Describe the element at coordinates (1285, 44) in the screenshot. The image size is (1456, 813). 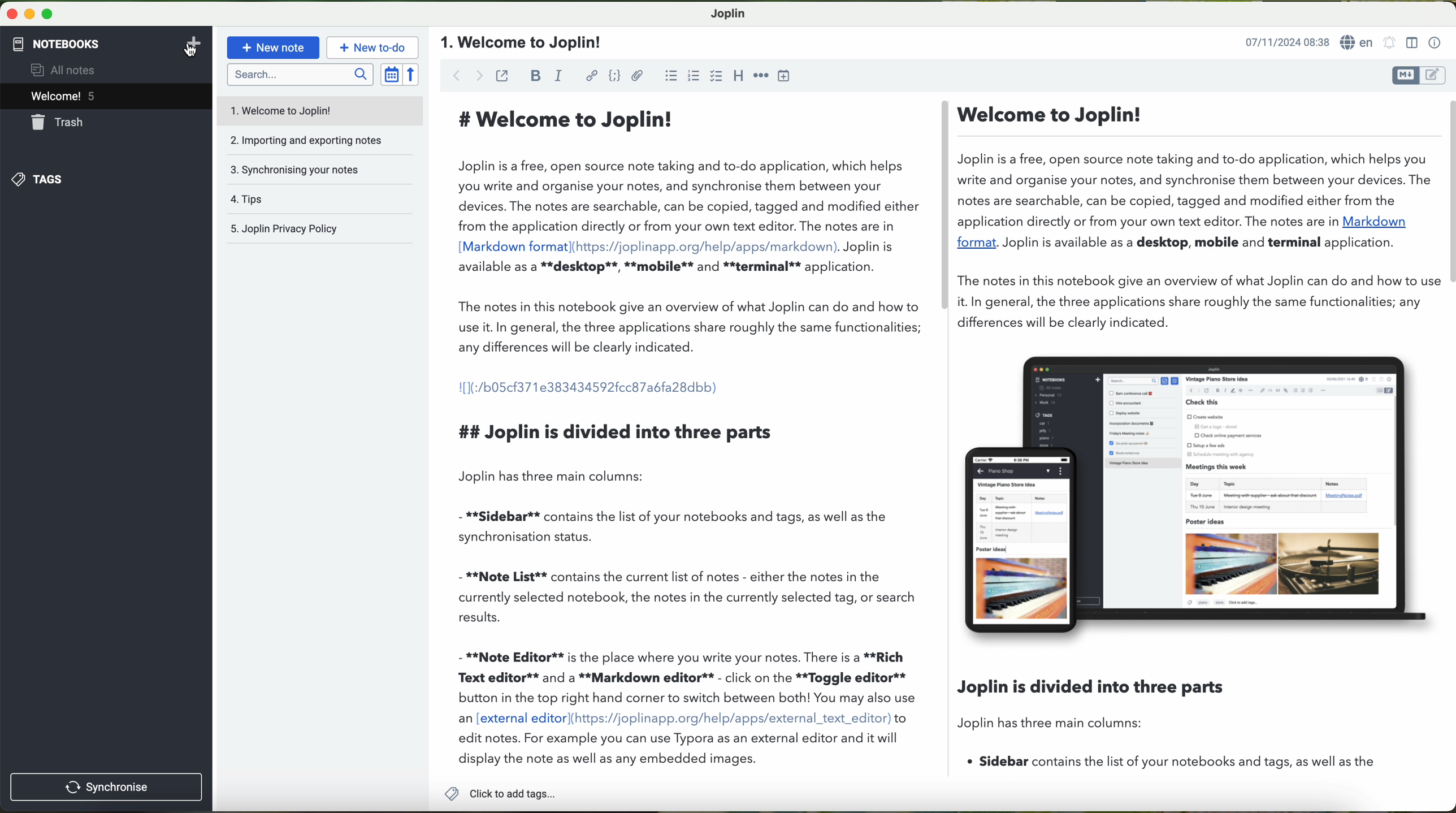
I see `date and hour` at that location.